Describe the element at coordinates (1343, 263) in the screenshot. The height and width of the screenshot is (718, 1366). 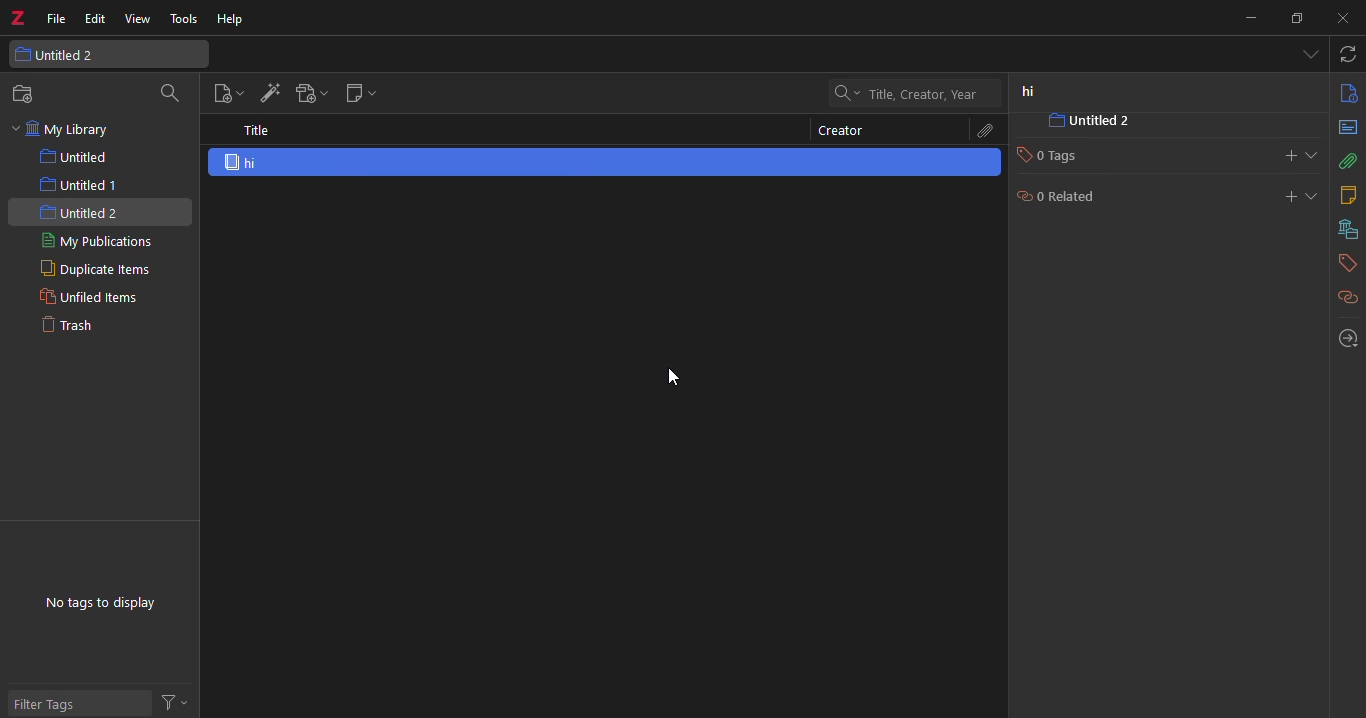
I see `tags` at that location.